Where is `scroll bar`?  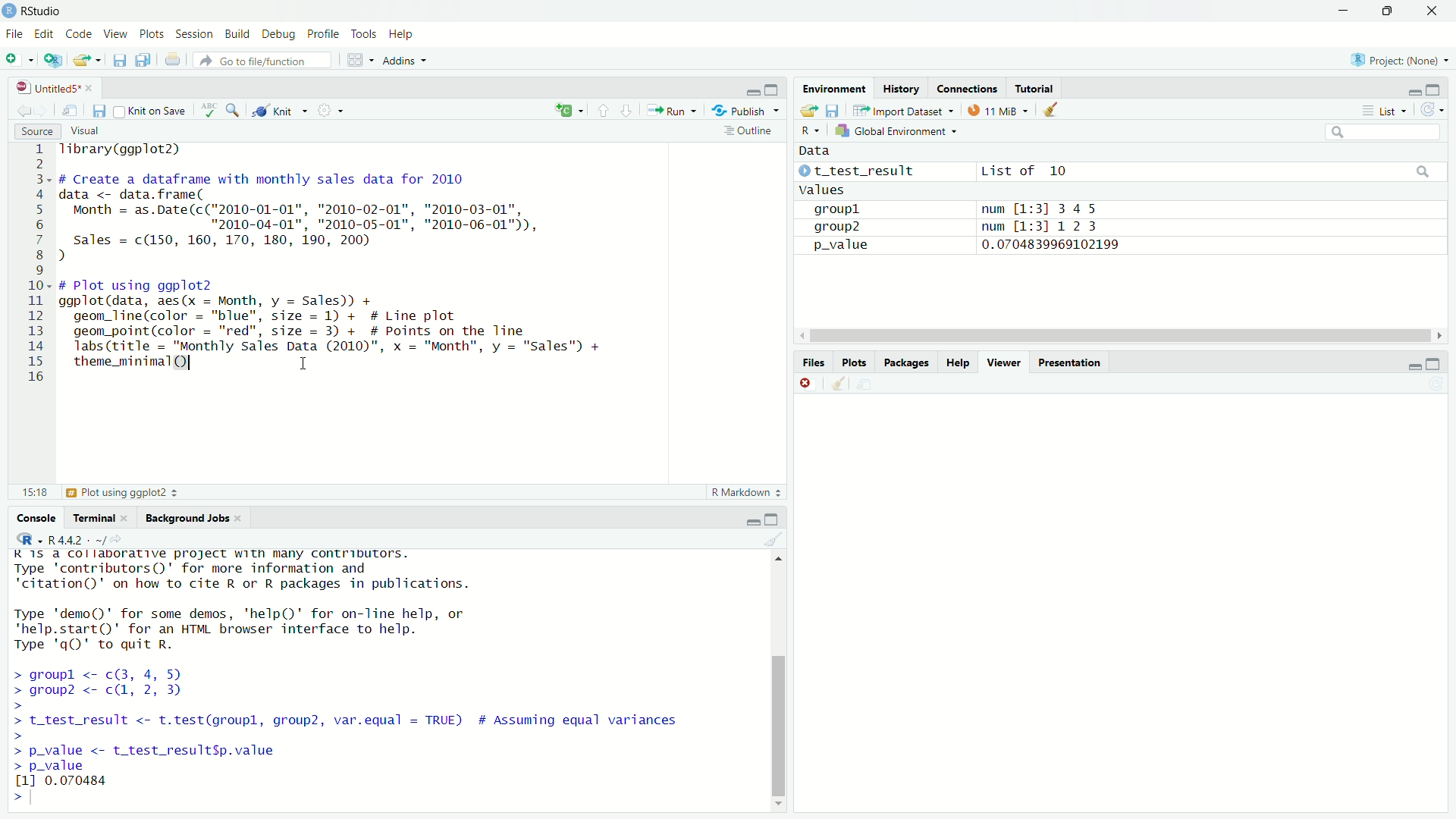
scroll bar is located at coordinates (775, 679).